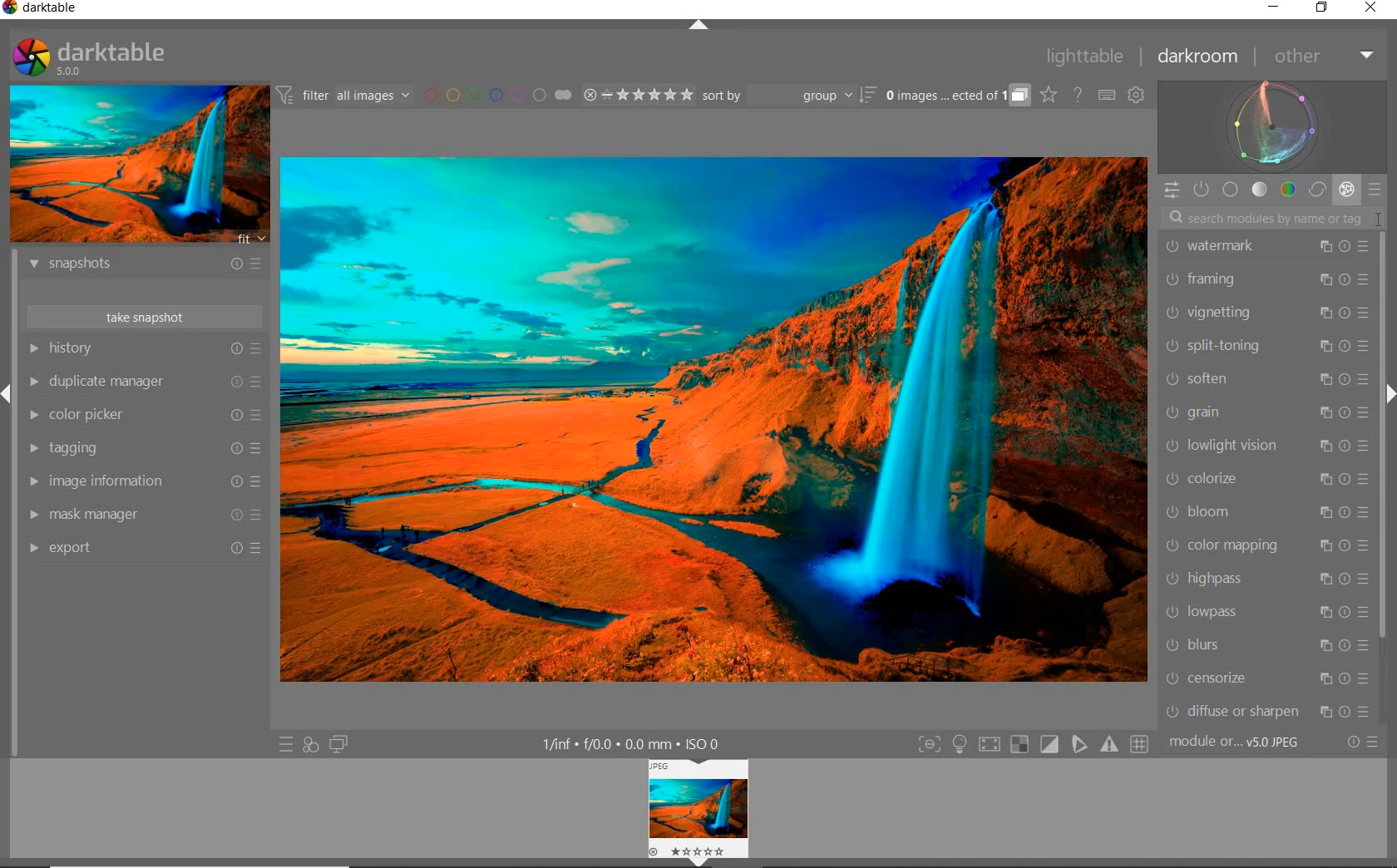 The width and height of the screenshot is (1397, 868). What do you see at coordinates (143, 481) in the screenshot?
I see `image information` at bounding box center [143, 481].